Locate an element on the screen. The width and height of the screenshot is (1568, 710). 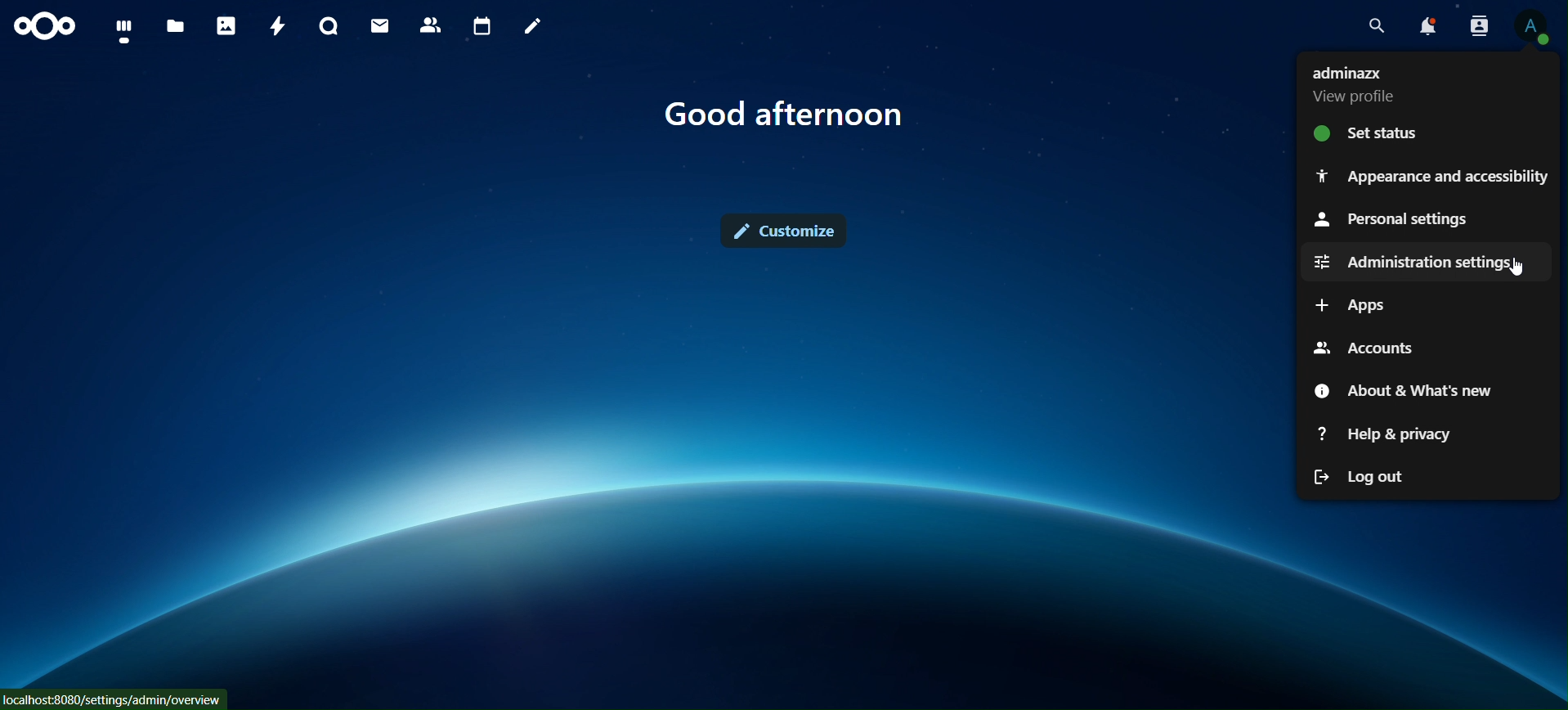
adminstration settings is located at coordinates (1414, 259).